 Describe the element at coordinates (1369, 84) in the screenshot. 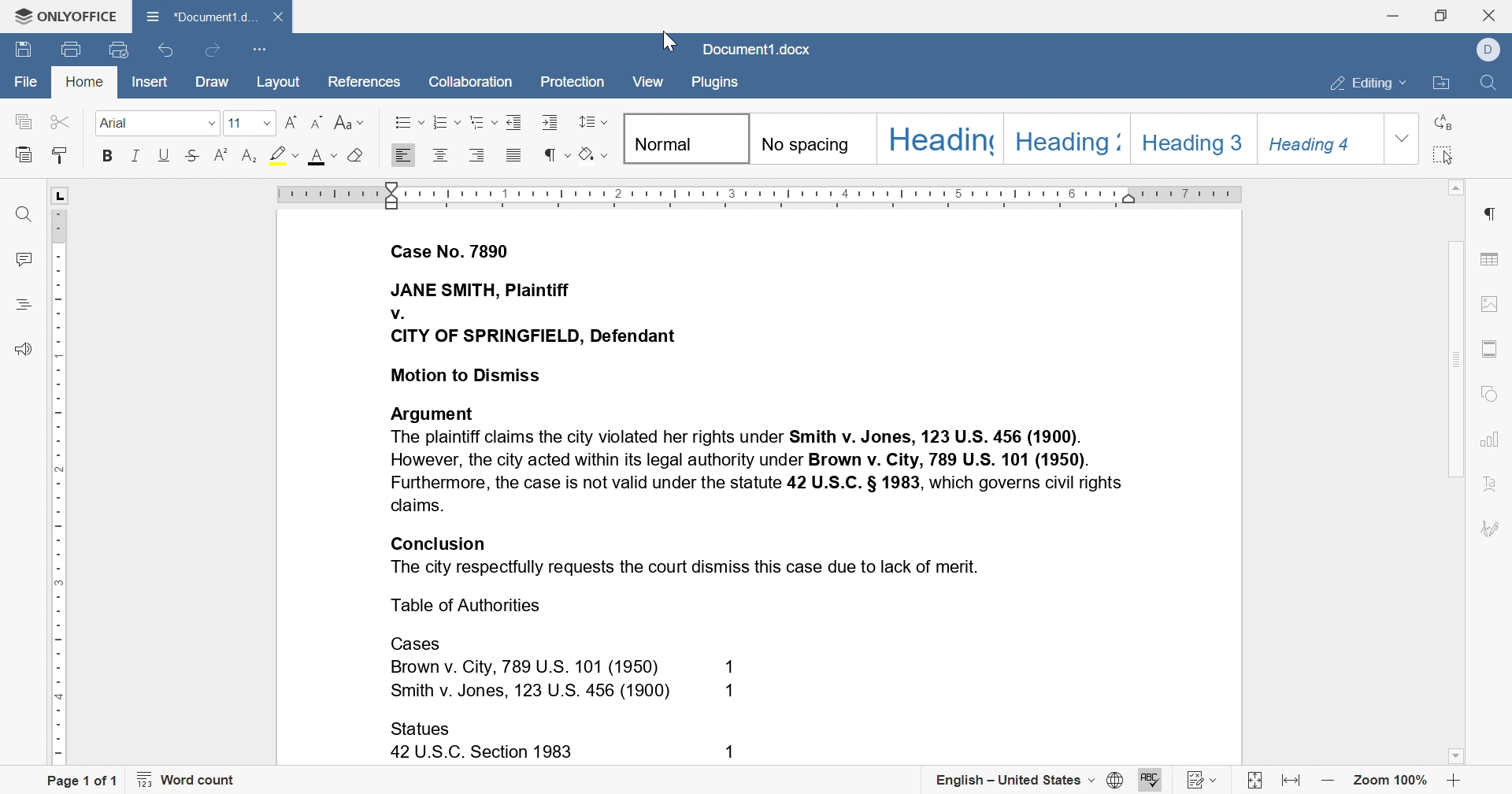

I see `editing` at that location.